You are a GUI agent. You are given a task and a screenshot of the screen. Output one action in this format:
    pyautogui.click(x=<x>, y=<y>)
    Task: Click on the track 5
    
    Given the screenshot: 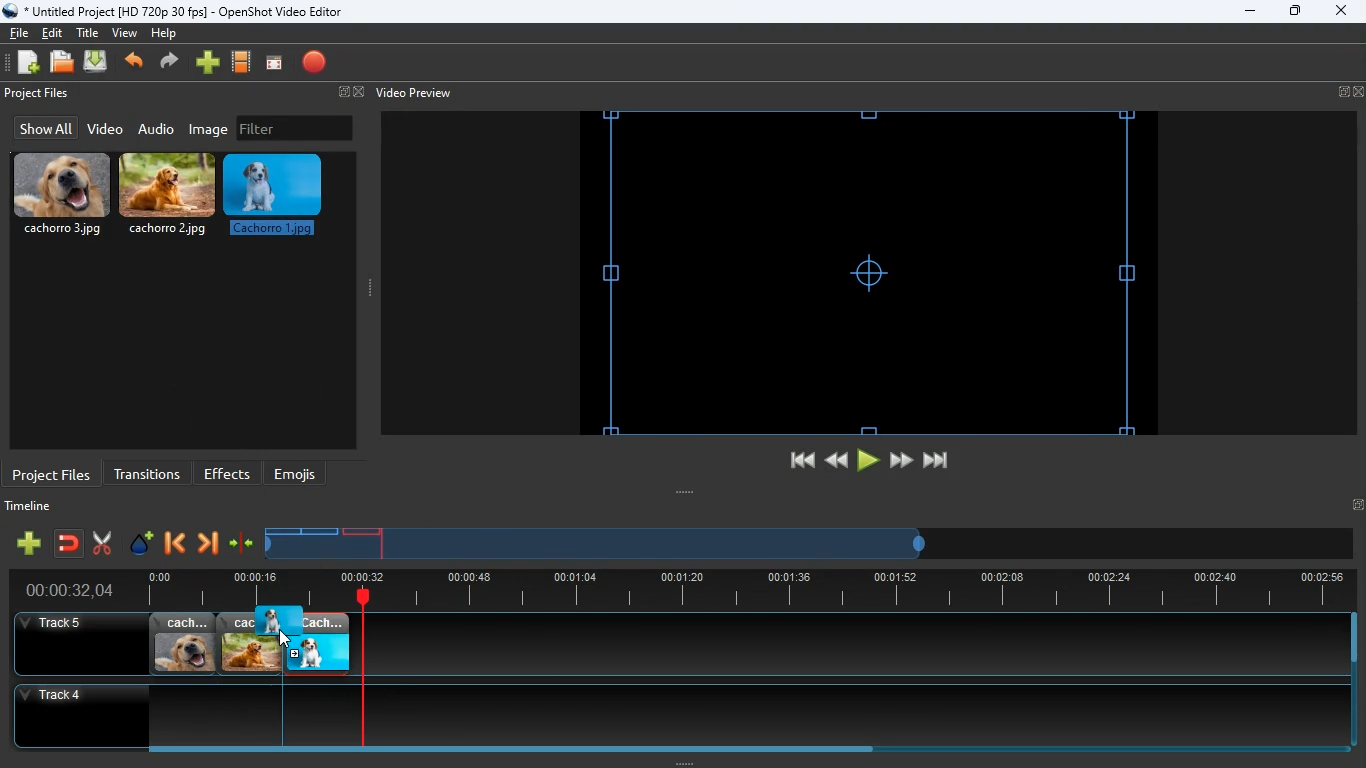 What is the action you would take?
    pyautogui.click(x=56, y=624)
    